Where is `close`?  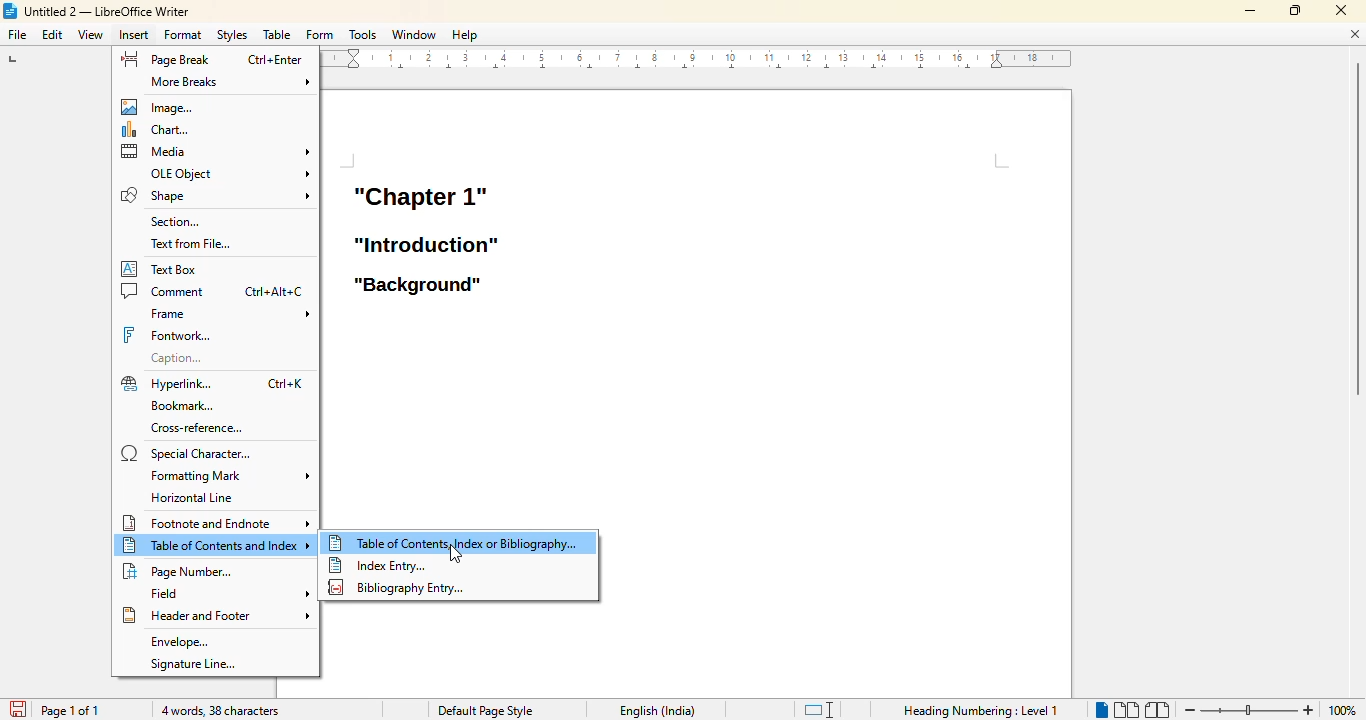 close is located at coordinates (1340, 9).